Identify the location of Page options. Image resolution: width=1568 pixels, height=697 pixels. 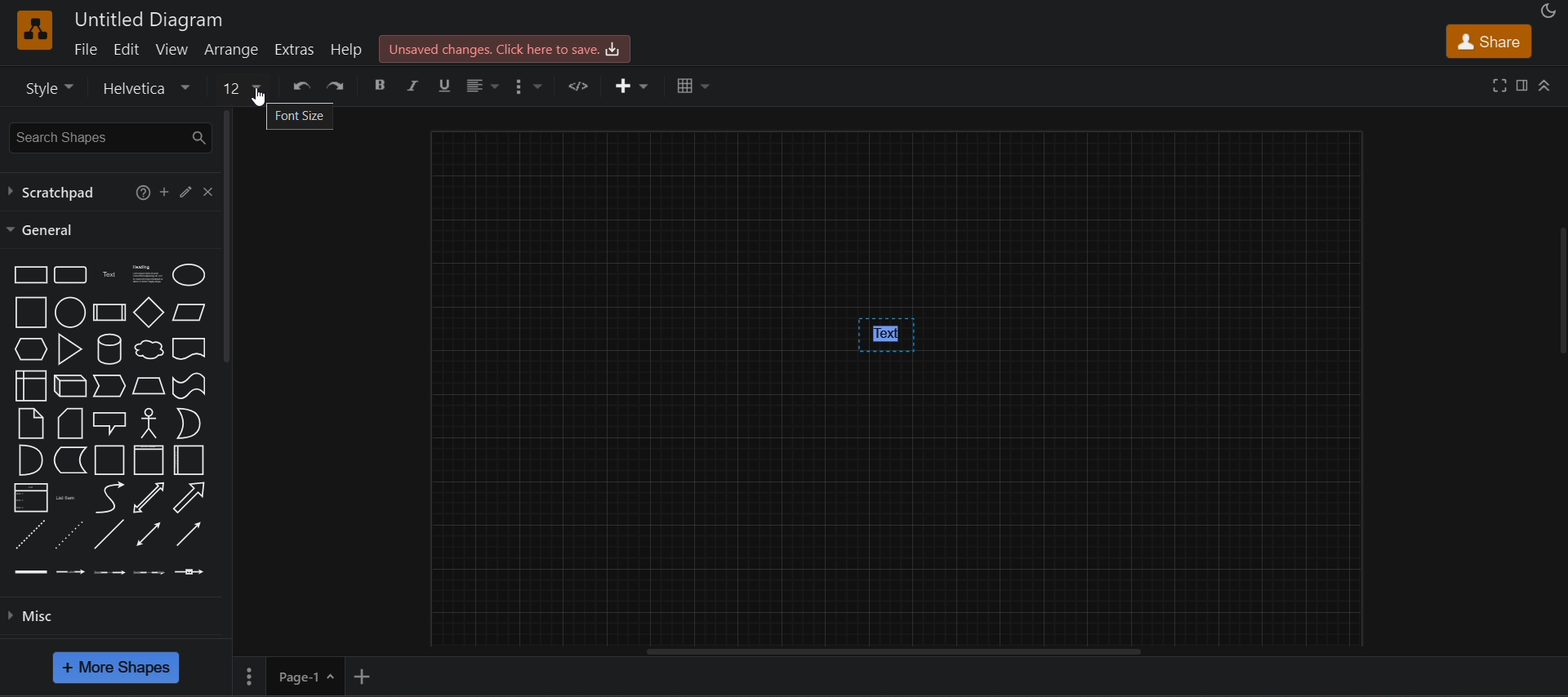
(329, 677).